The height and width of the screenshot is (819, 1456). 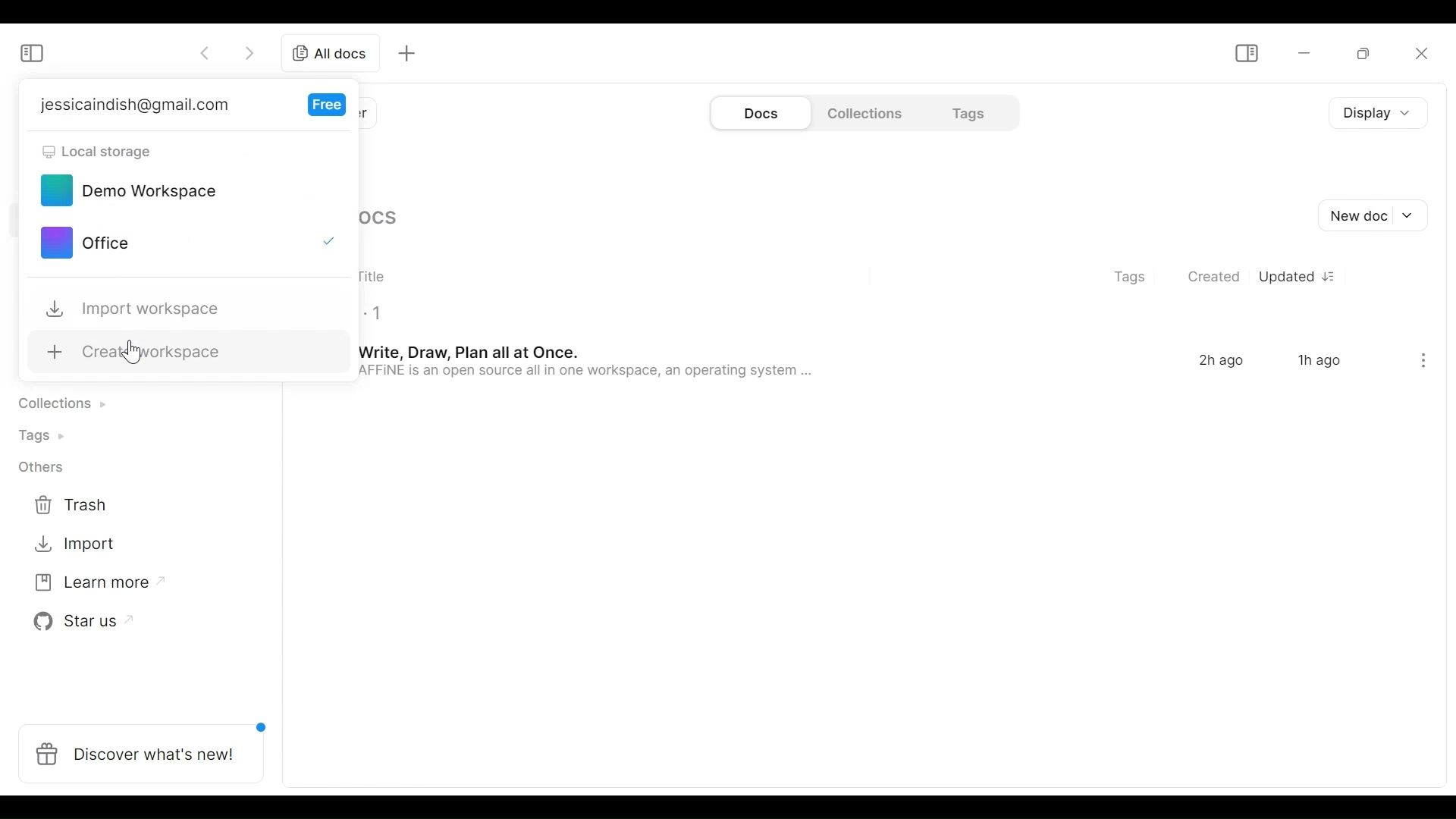 What do you see at coordinates (1419, 359) in the screenshot?
I see `ellipsis` at bounding box center [1419, 359].